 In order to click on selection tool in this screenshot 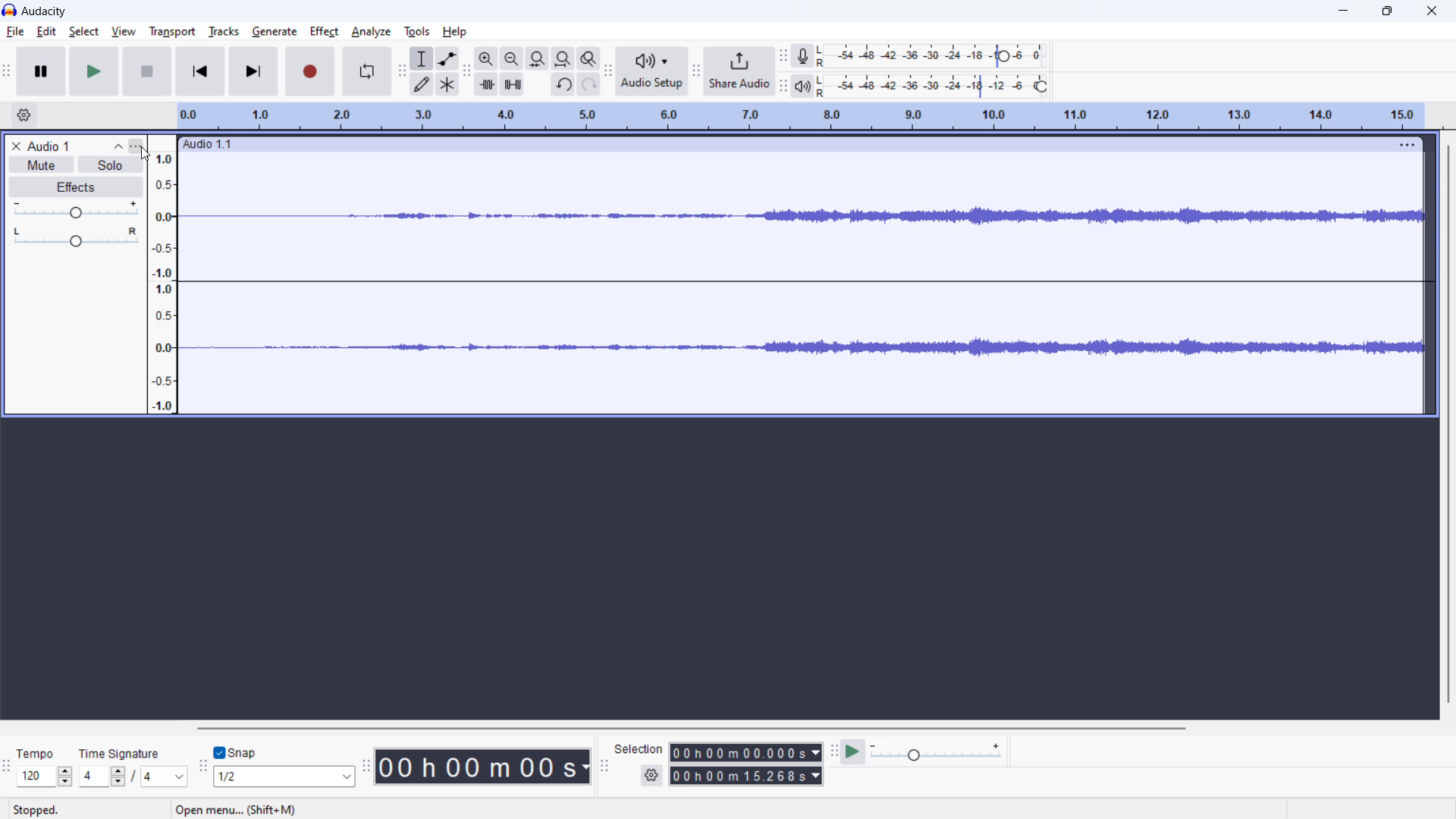, I will do `click(422, 58)`.